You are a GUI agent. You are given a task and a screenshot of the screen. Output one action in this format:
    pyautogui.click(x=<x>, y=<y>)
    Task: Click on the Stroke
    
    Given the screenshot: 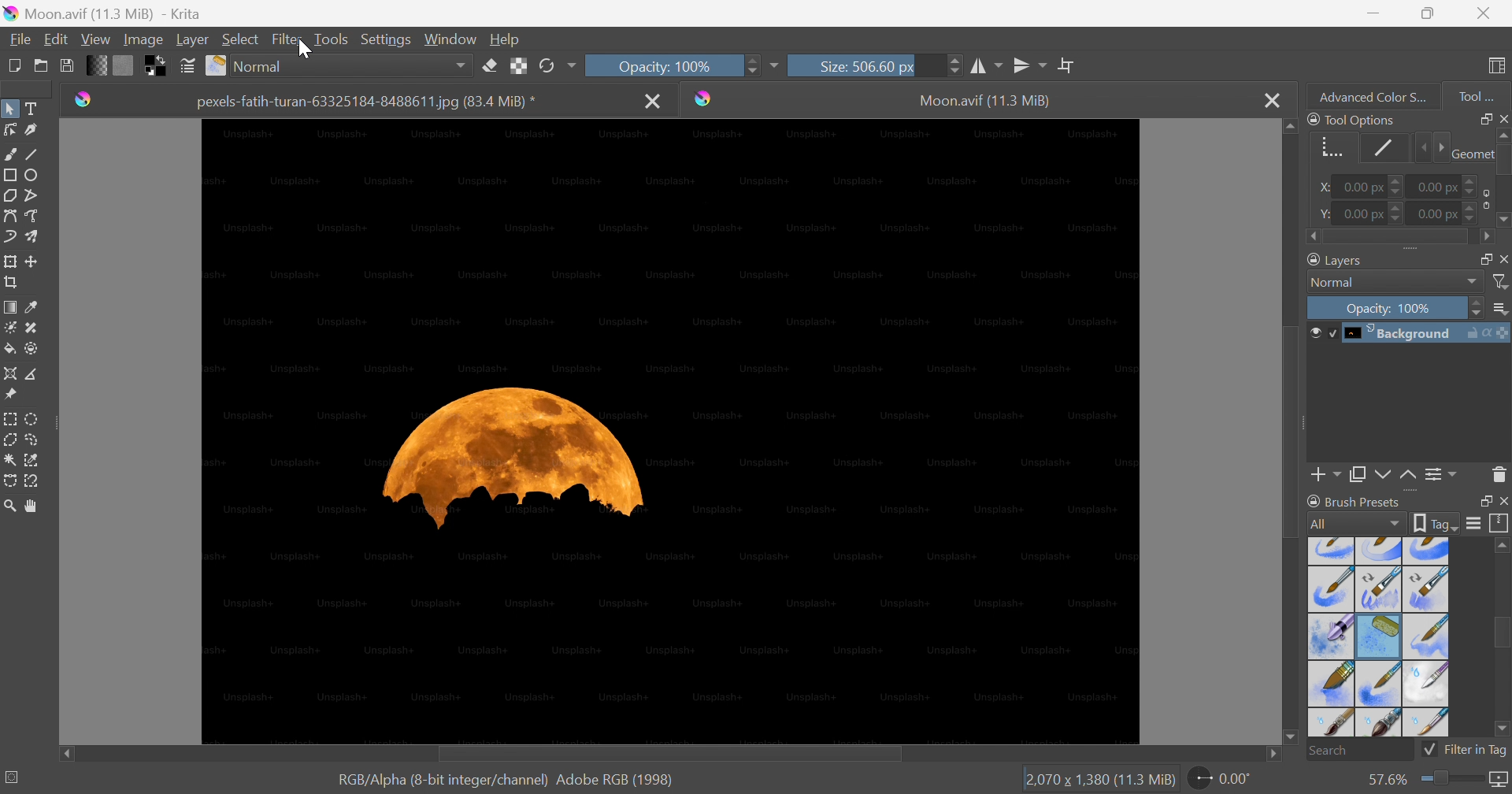 What is the action you would take?
    pyautogui.click(x=1380, y=149)
    